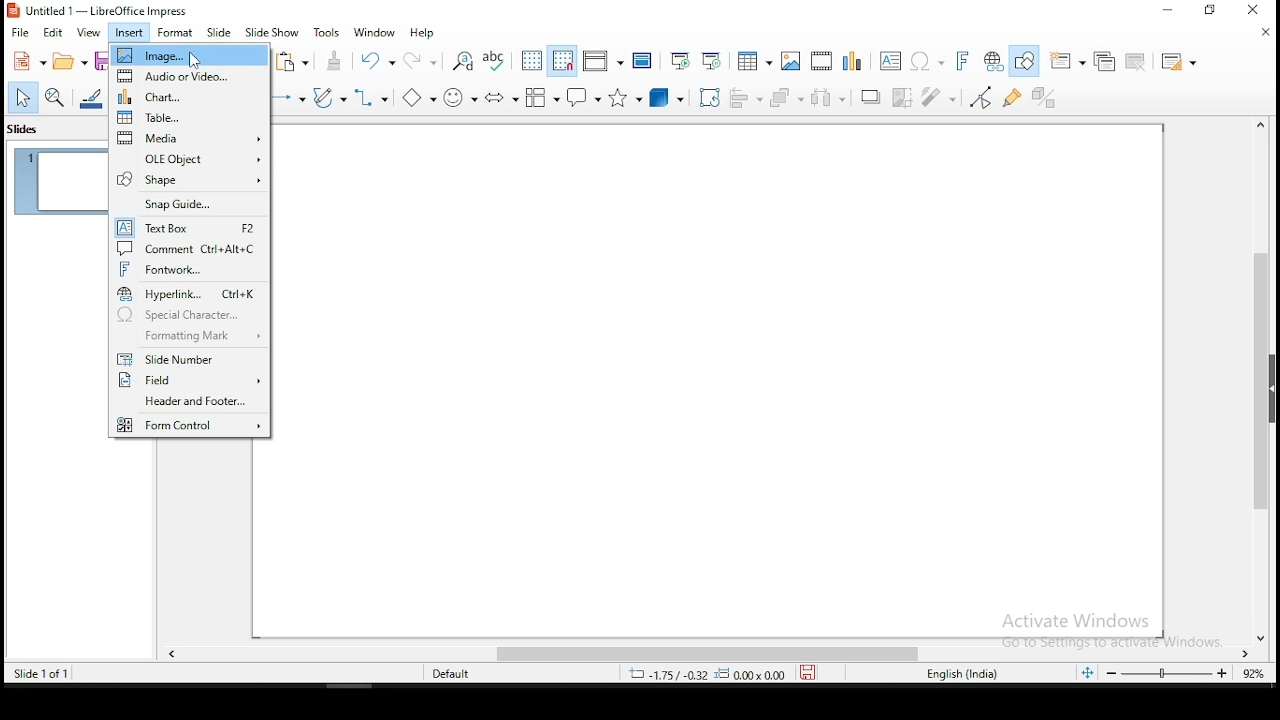 The width and height of the screenshot is (1280, 720). Describe the element at coordinates (28, 60) in the screenshot. I see `new` at that location.